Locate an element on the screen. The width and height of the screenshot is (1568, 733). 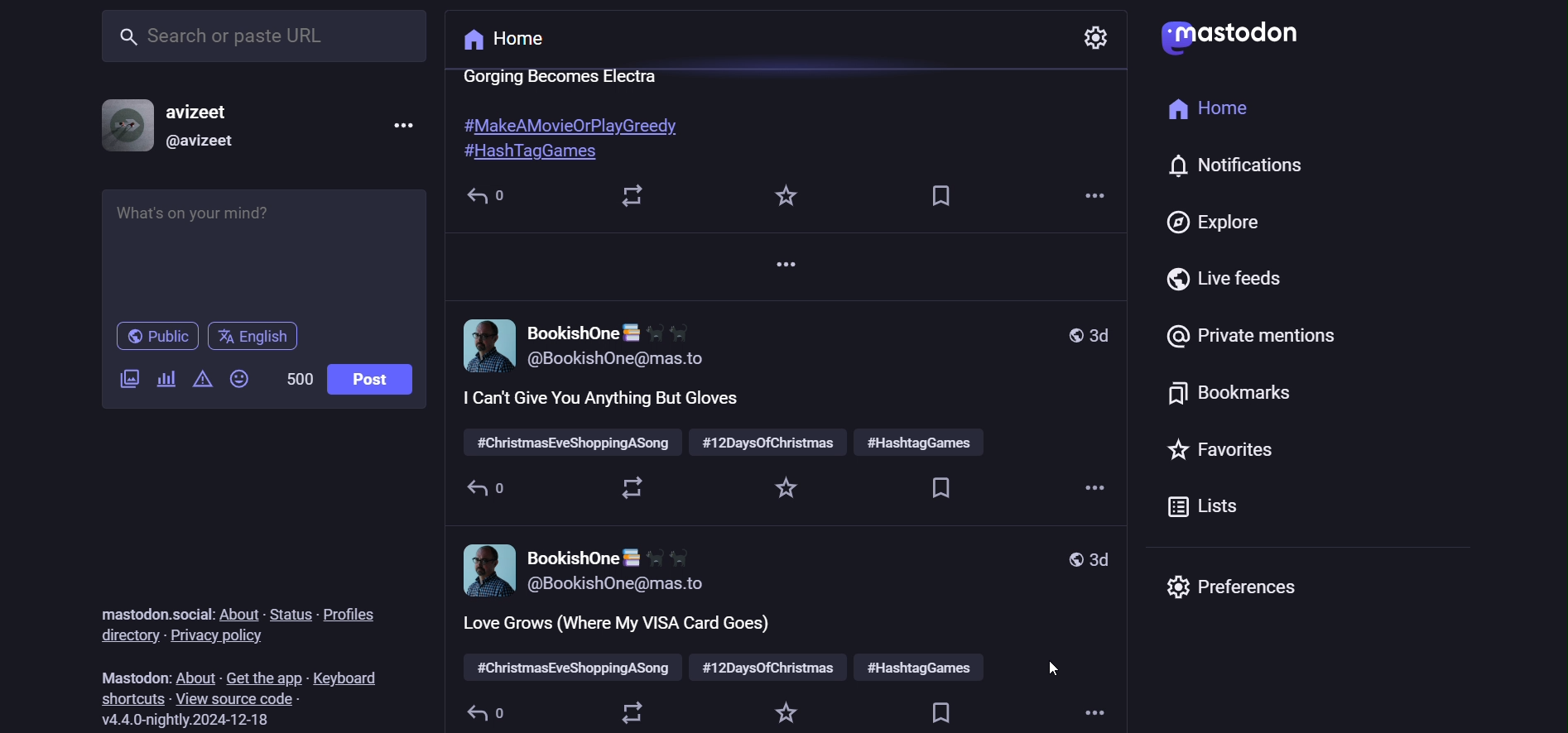
notification is located at coordinates (1231, 165).